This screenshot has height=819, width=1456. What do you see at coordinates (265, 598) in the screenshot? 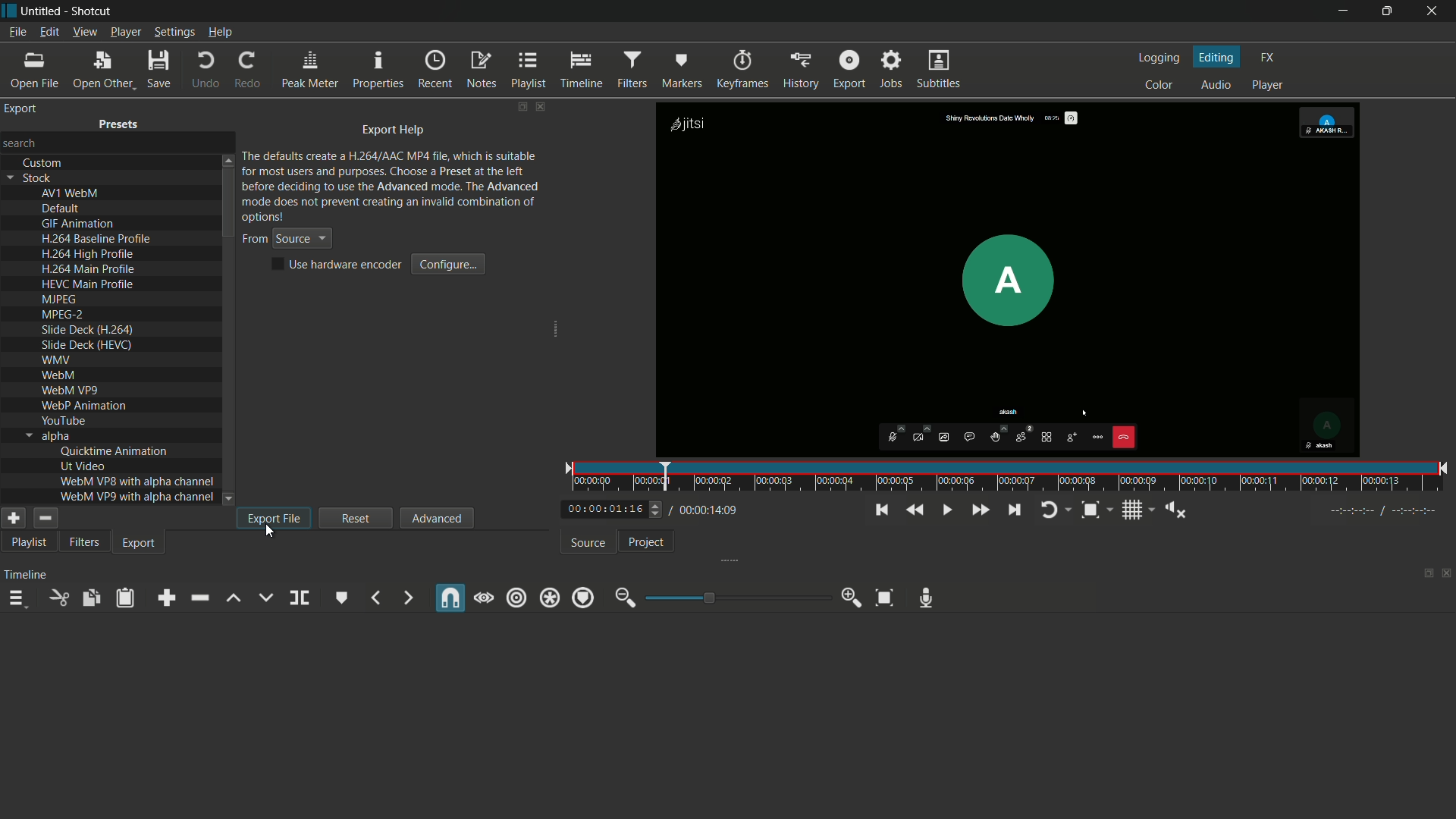
I see `overwrite` at bounding box center [265, 598].